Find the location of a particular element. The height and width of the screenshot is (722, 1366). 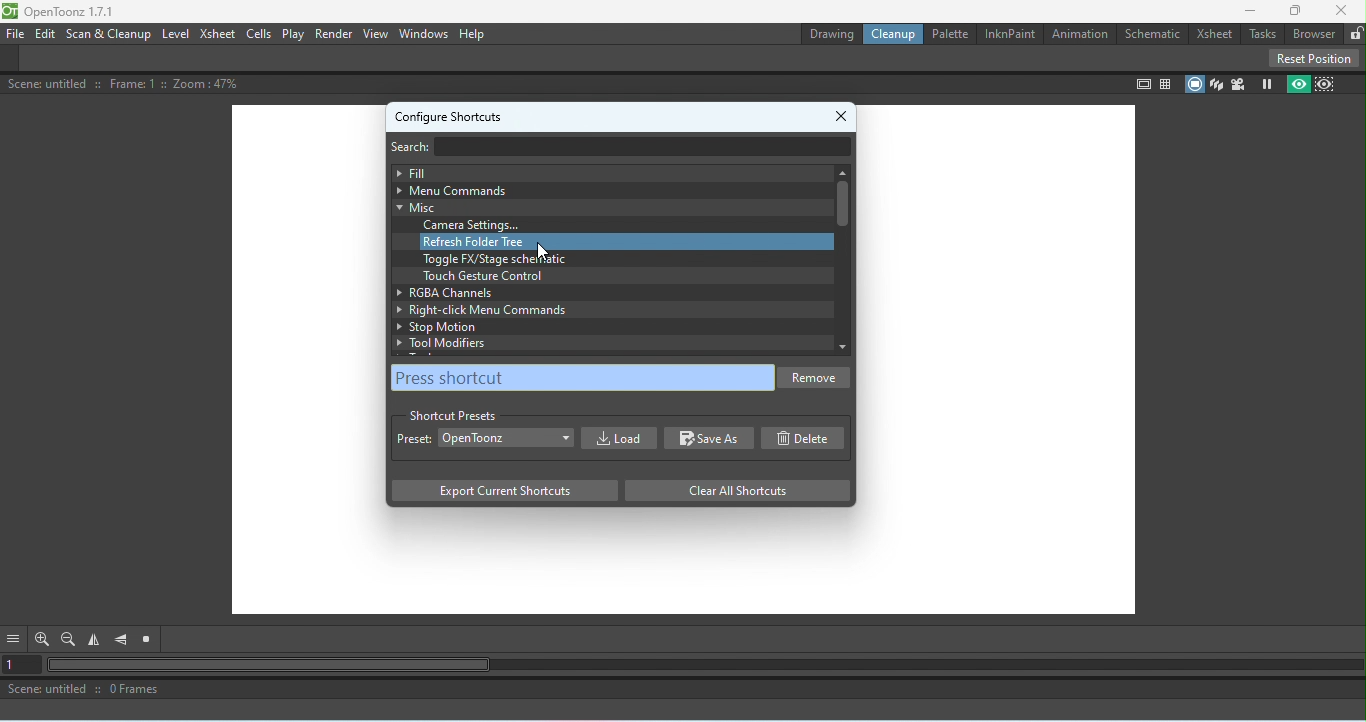

Remove is located at coordinates (817, 380).